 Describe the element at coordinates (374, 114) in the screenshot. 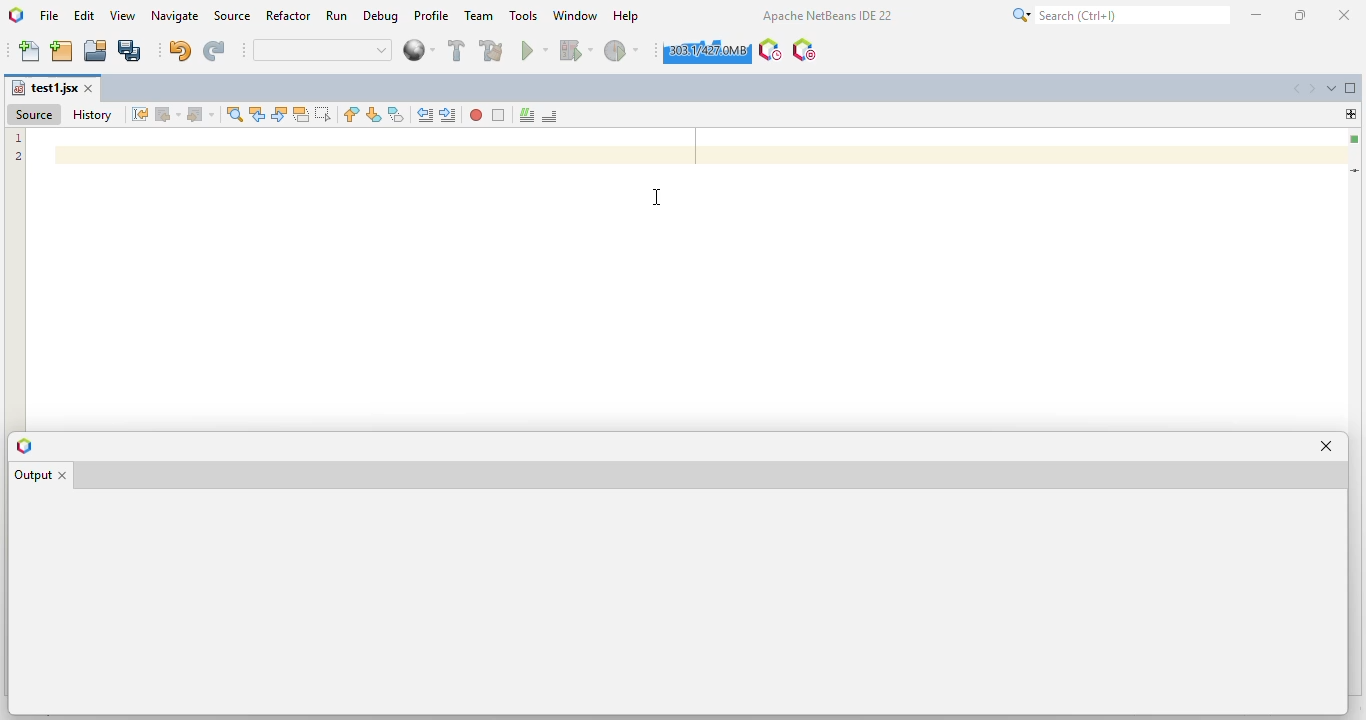

I see `next bookmark` at that location.